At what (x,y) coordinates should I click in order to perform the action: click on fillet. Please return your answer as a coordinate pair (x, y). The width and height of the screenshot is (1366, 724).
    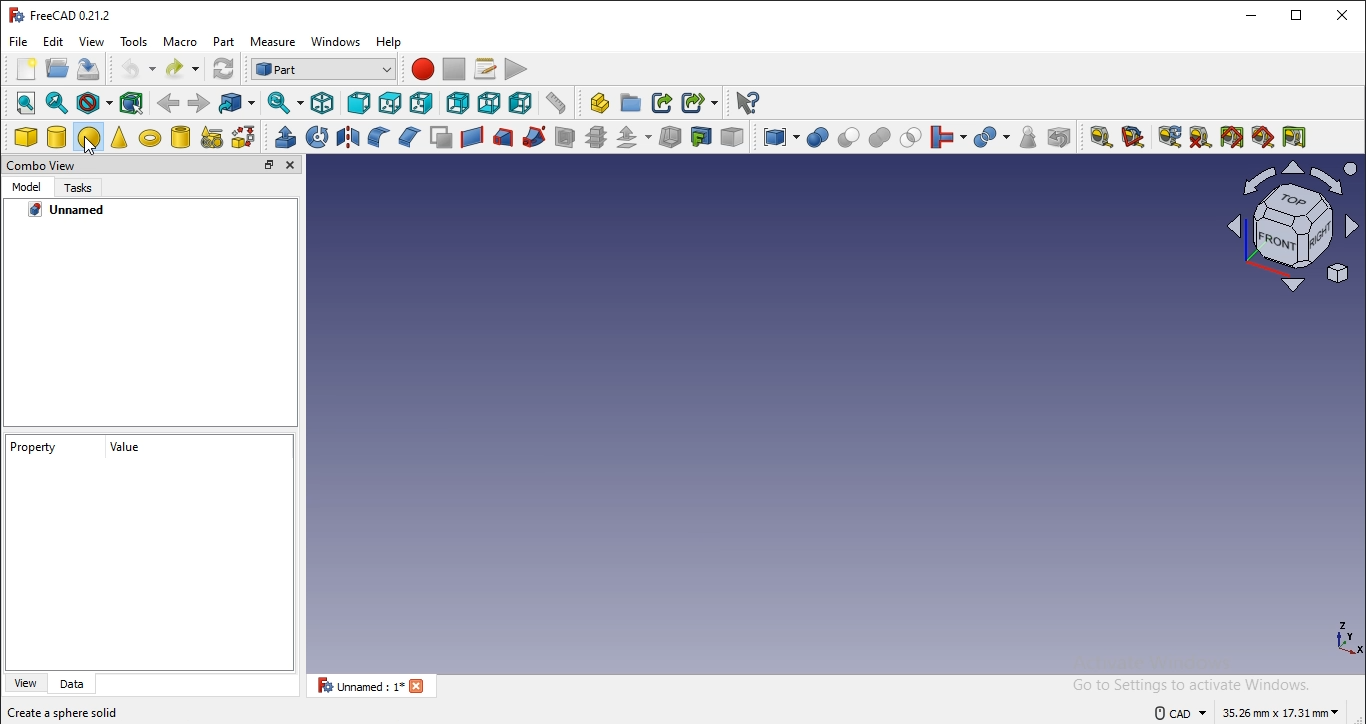
    Looking at the image, I should click on (377, 135).